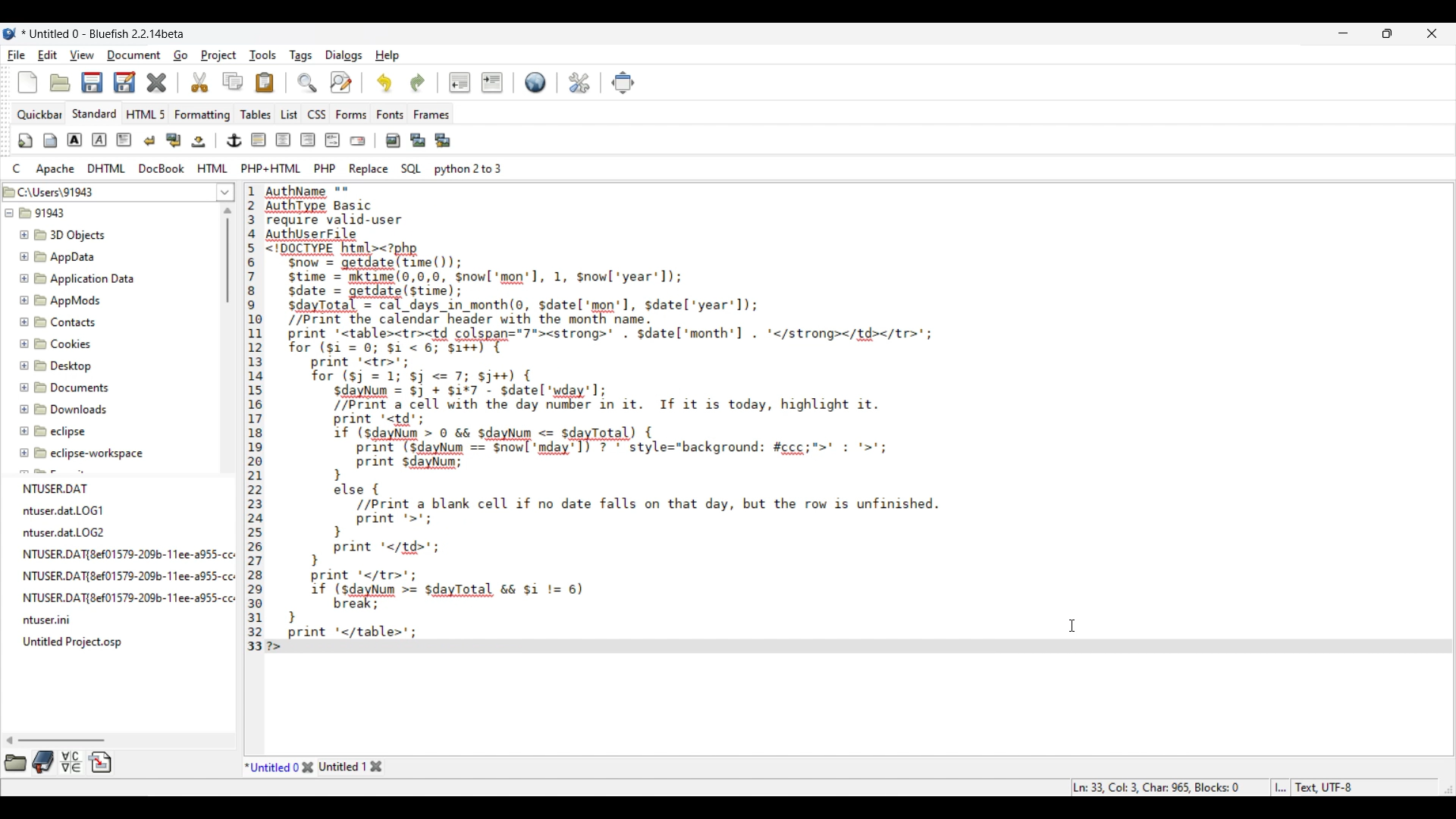 This screenshot has height=819, width=1456. Describe the element at coordinates (325, 82) in the screenshot. I see `Search and replace` at that location.